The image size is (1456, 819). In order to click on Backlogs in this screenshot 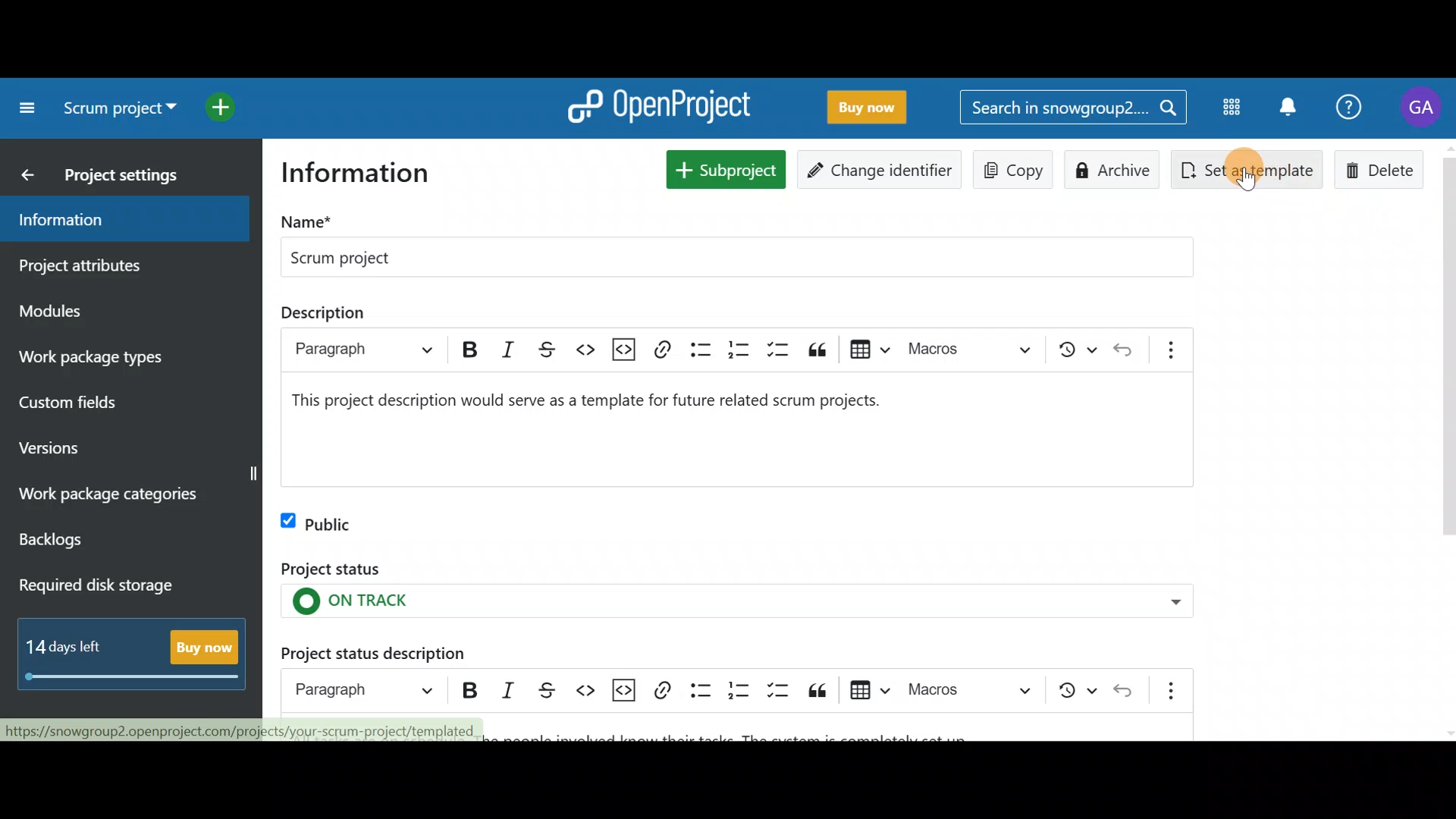, I will do `click(110, 540)`.